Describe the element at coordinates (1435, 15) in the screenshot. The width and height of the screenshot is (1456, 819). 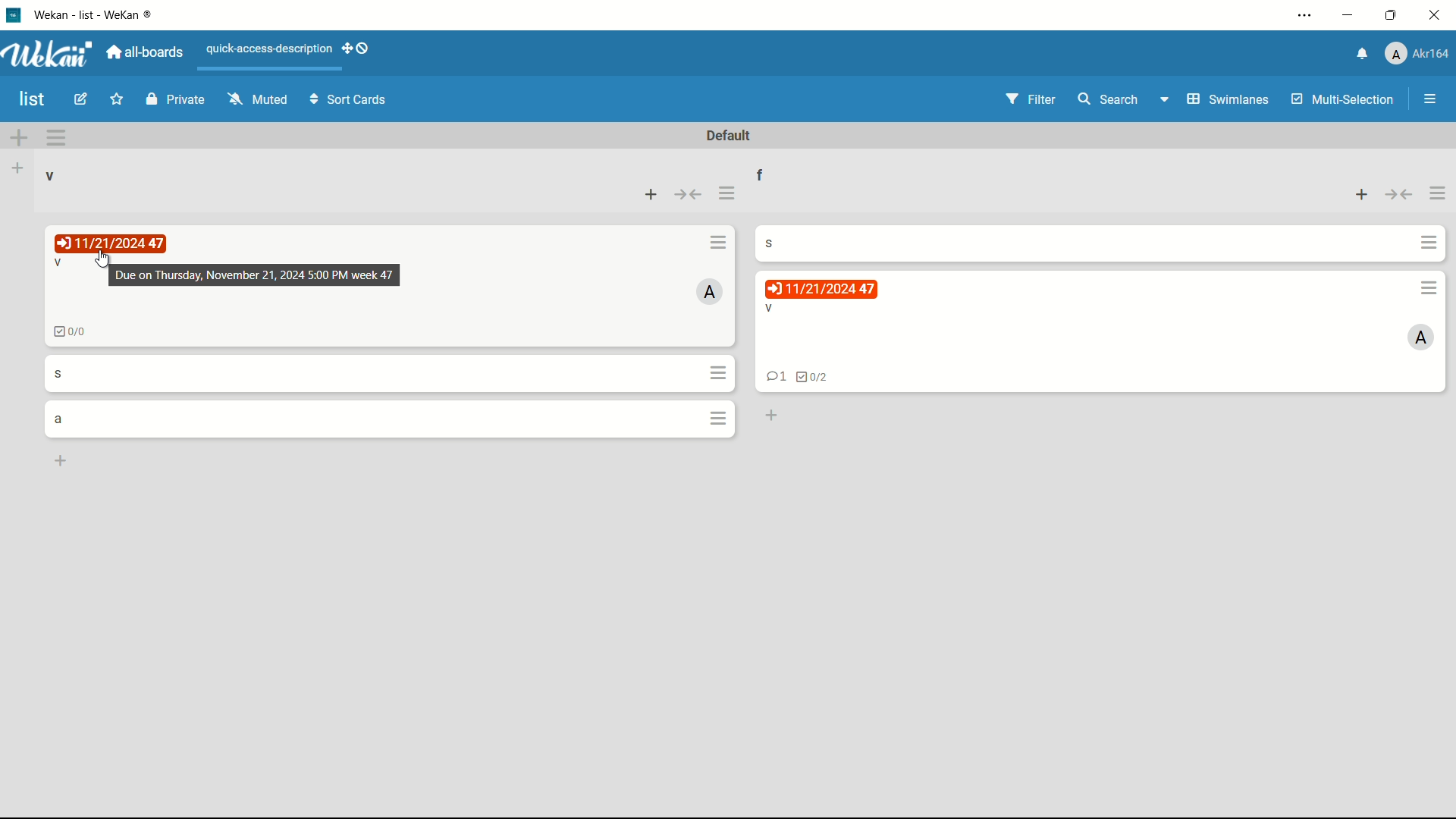
I see `close app` at that location.